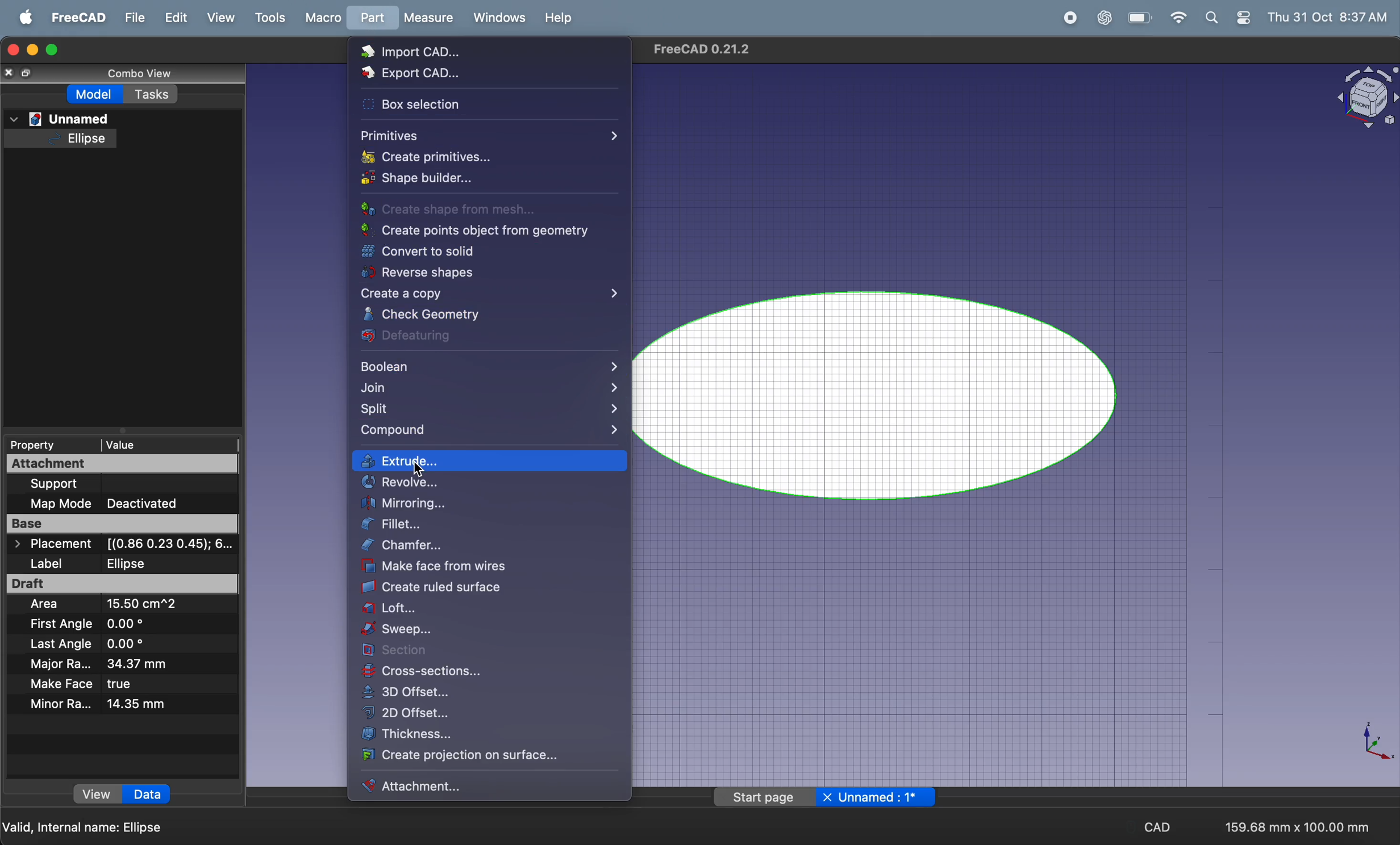  What do you see at coordinates (52, 505) in the screenshot?
I see `map mode` at bounding box center [52, 505].